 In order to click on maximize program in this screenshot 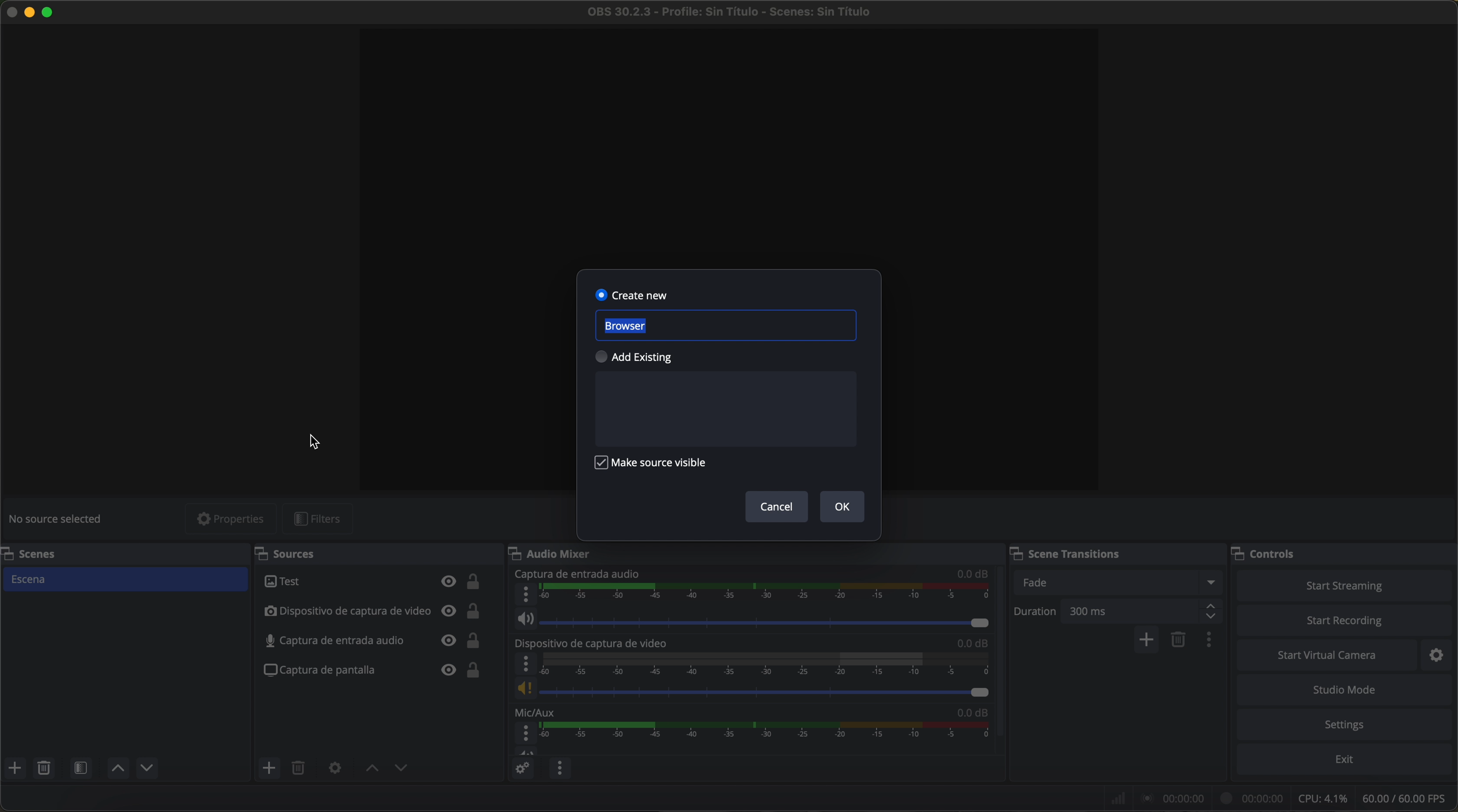, I will do `click(50, 14)`.